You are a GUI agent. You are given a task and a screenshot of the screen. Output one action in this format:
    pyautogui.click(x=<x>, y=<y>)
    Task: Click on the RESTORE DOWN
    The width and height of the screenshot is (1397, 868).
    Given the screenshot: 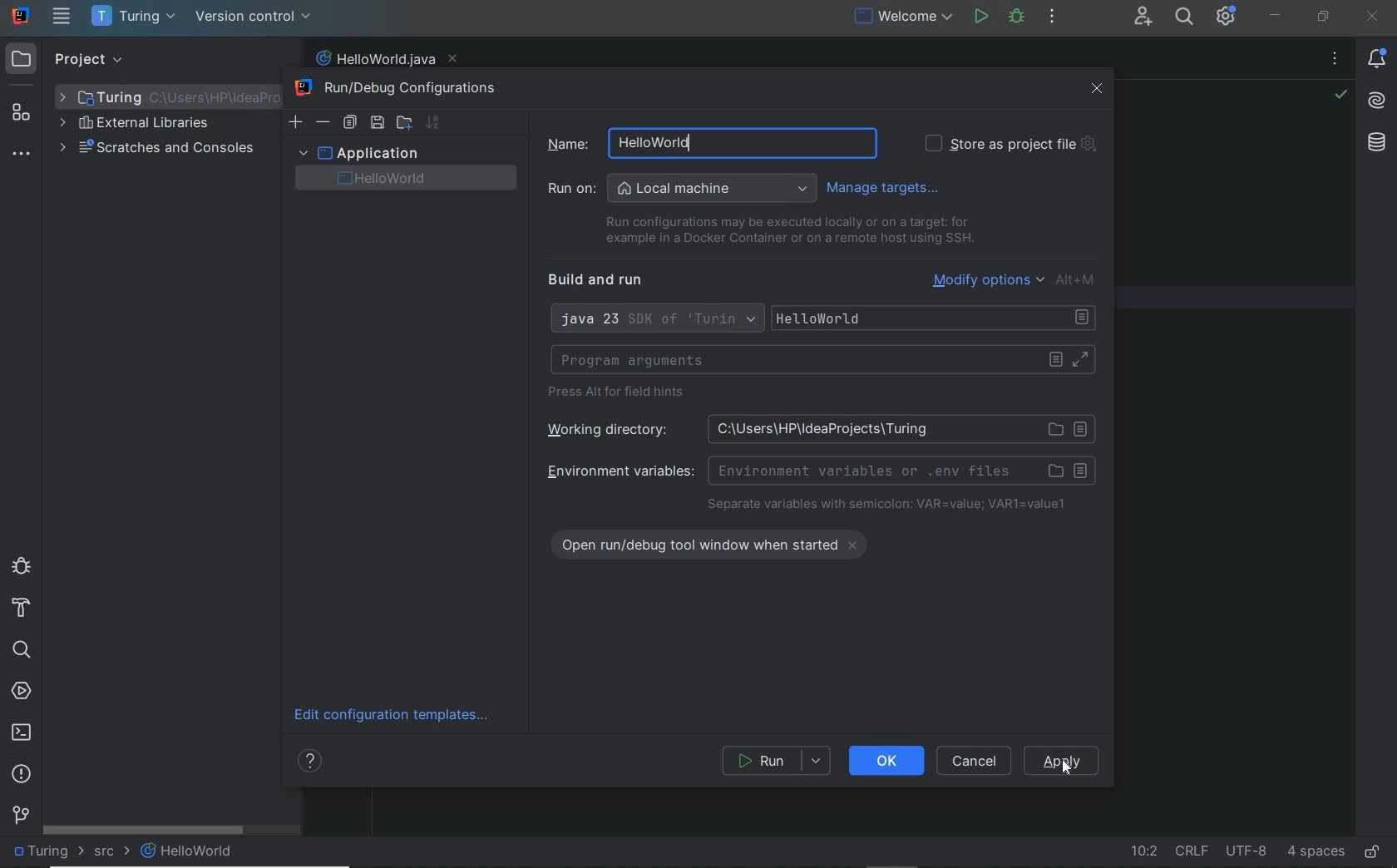 What is the action you would take?
    pyautogui.click(x=1324, y=16)
    